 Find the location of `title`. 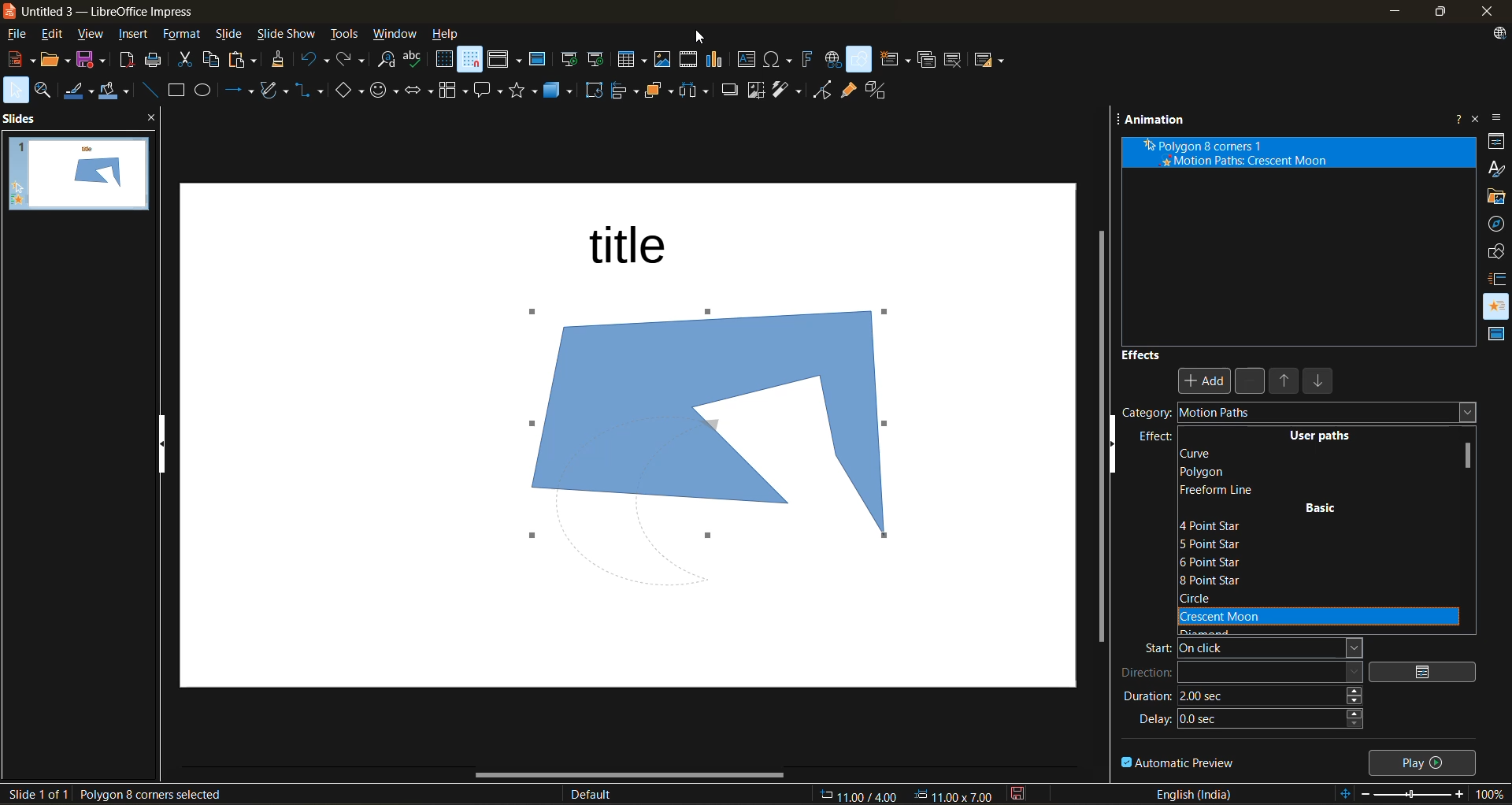

title is located at coordinates (632, 244).